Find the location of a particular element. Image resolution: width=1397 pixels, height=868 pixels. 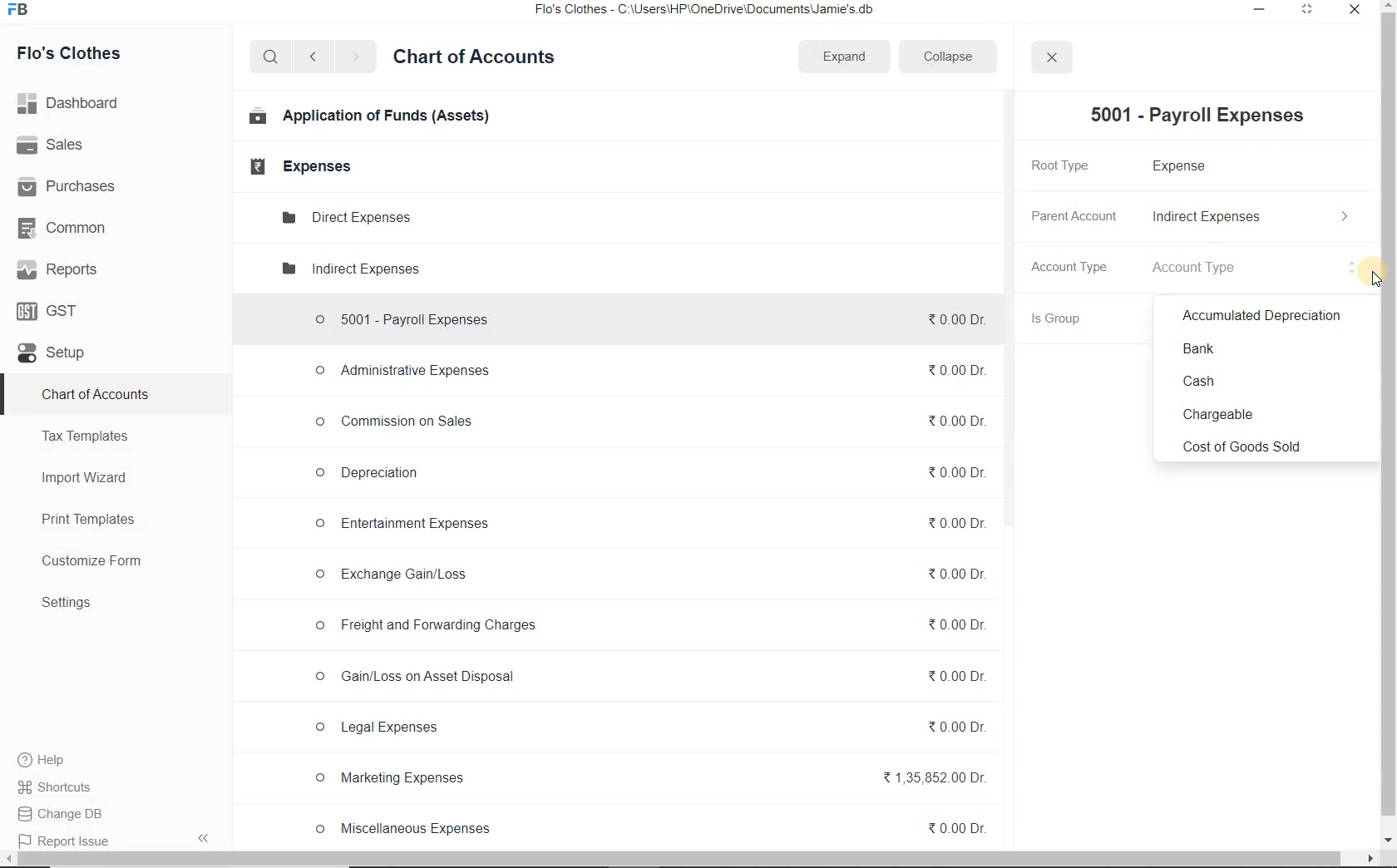

Sales is located at coordinates (53, 145).